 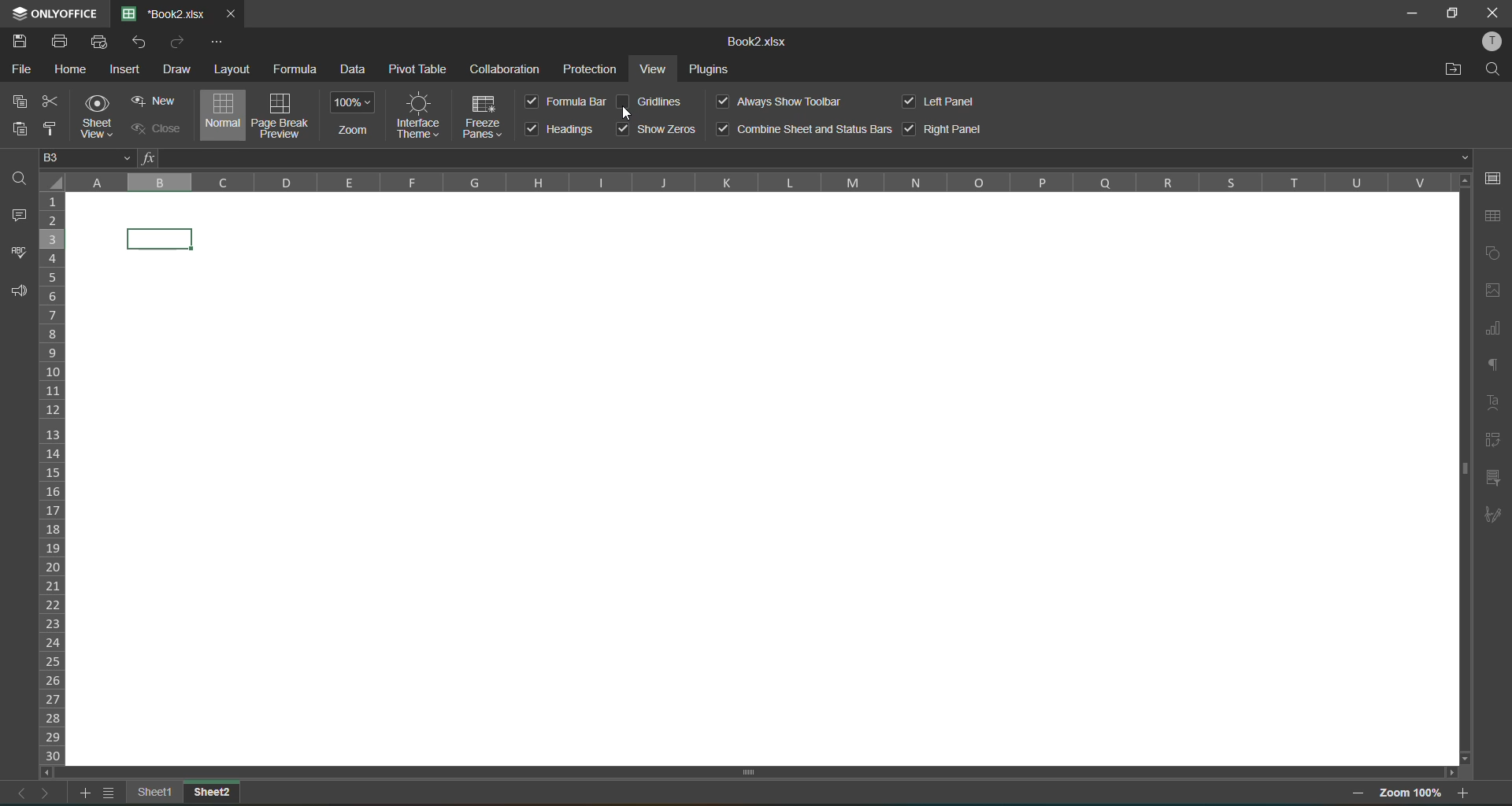 What do you see at coordinates (1464, 793) in the screenshot?
I see `zoom in` at bounding box center [1464, 793].